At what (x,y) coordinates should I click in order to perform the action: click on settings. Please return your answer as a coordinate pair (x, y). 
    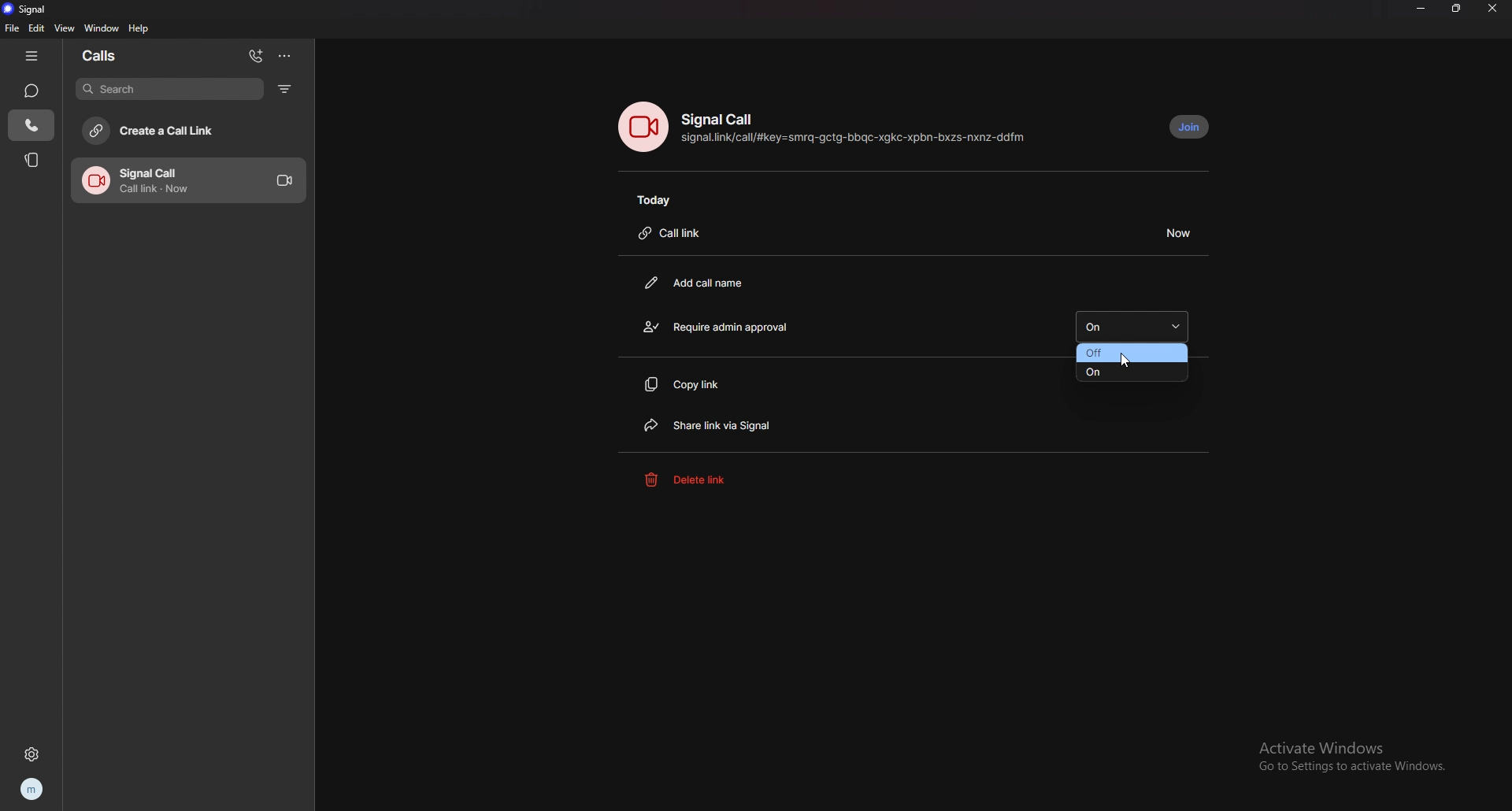
    Looking at the image, I should click on (31, 754).